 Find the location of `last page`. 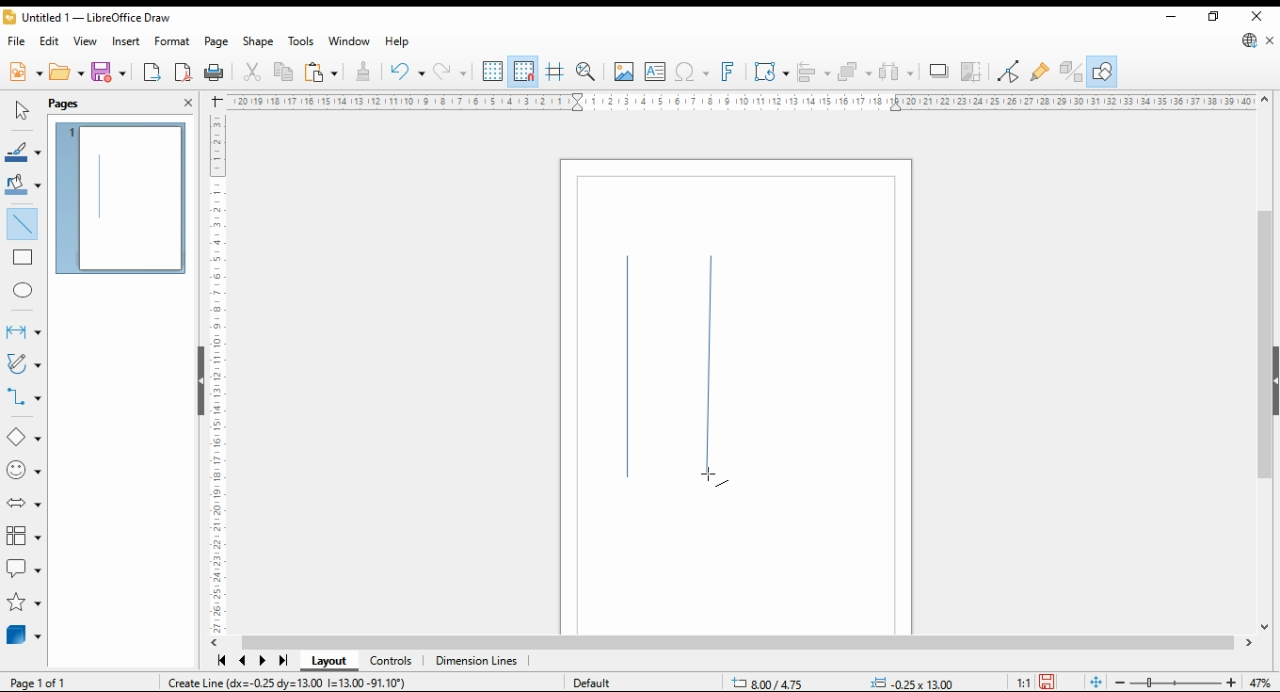

last page is located at coordinates (282, 661).